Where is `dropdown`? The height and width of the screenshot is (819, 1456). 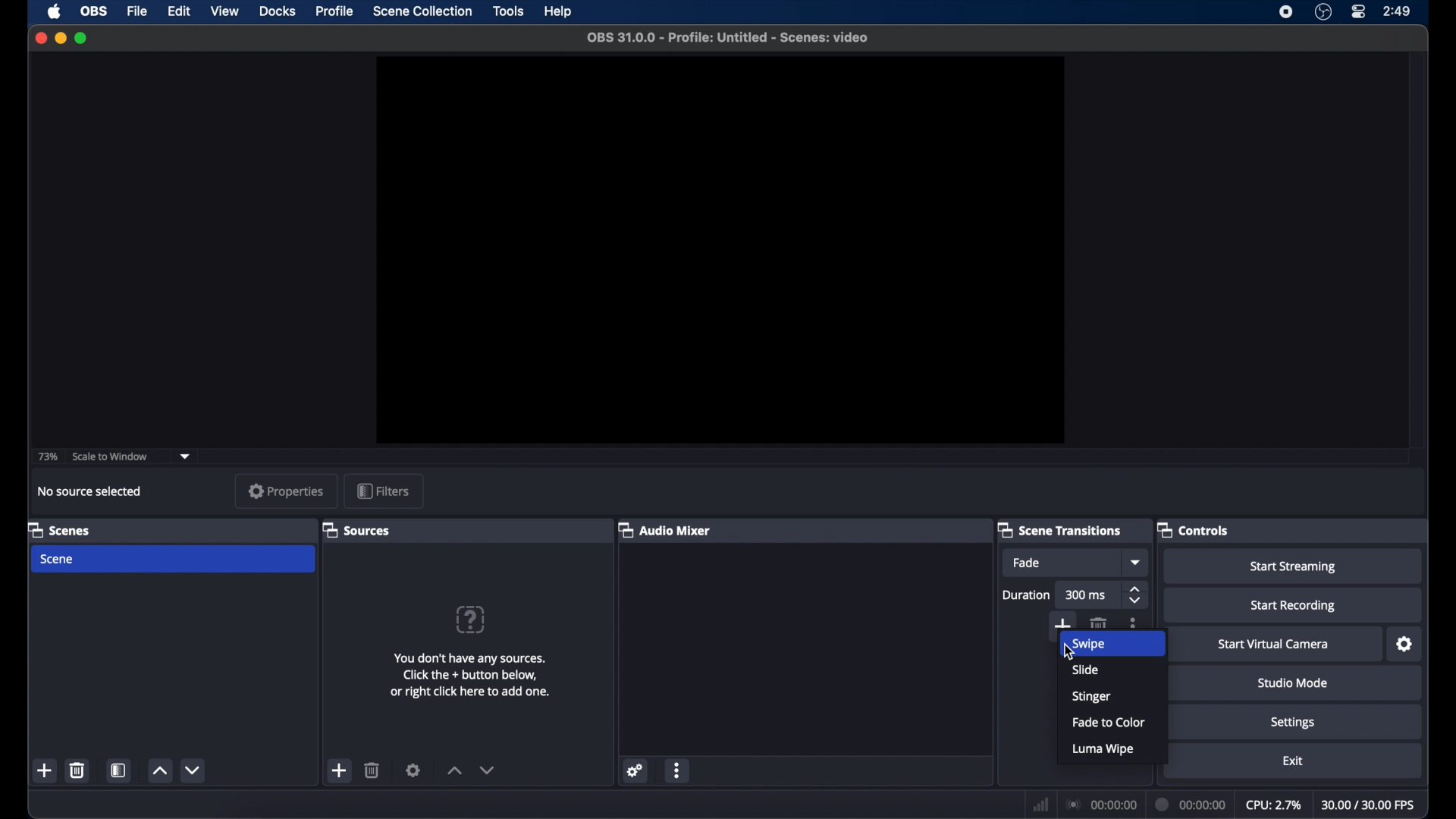
dropdown is located at coordinates (1134, 562).